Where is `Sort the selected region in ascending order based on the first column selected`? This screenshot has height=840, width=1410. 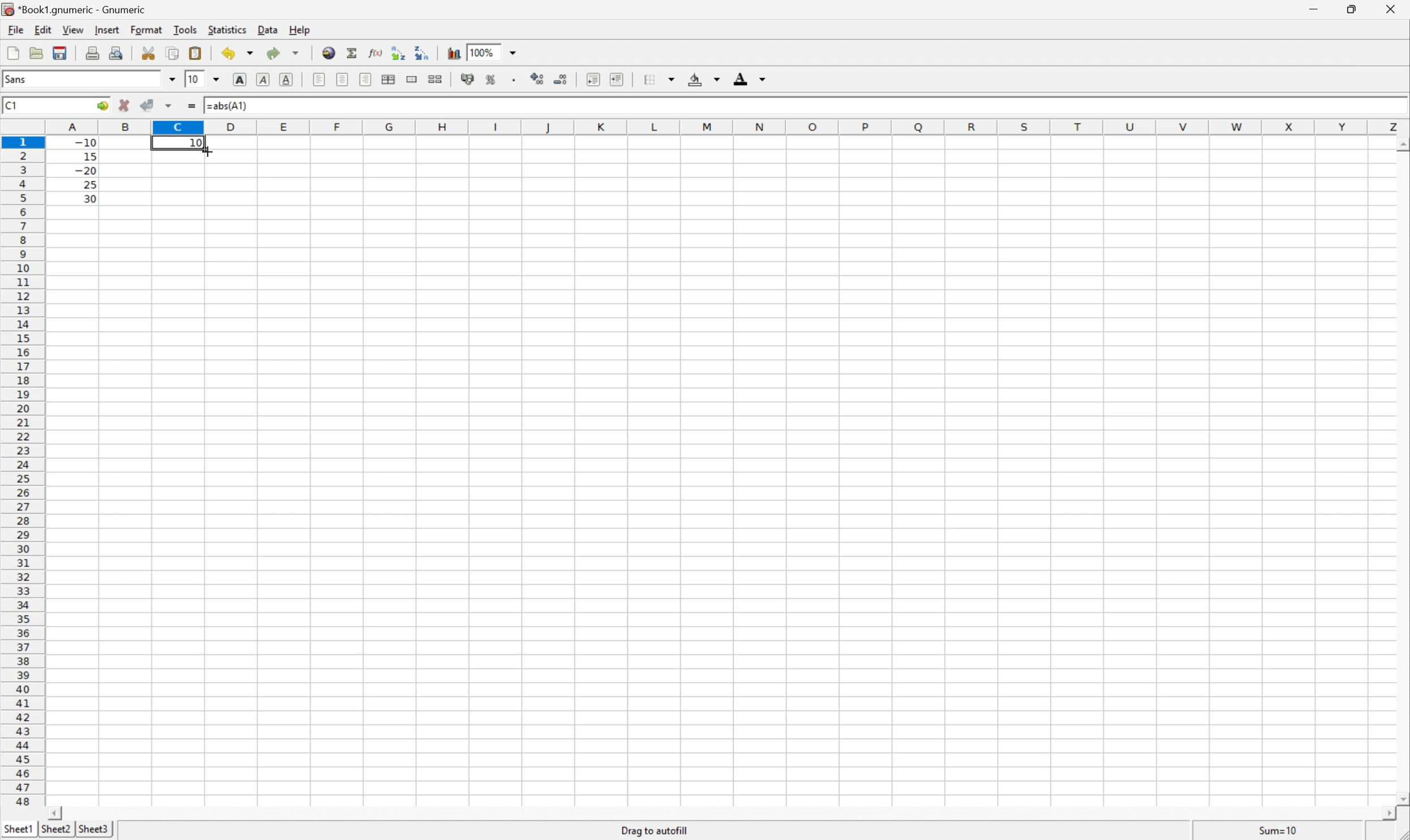 Sort the selected region in ascending order based on the first column selected is located at coordinates (396, 52).